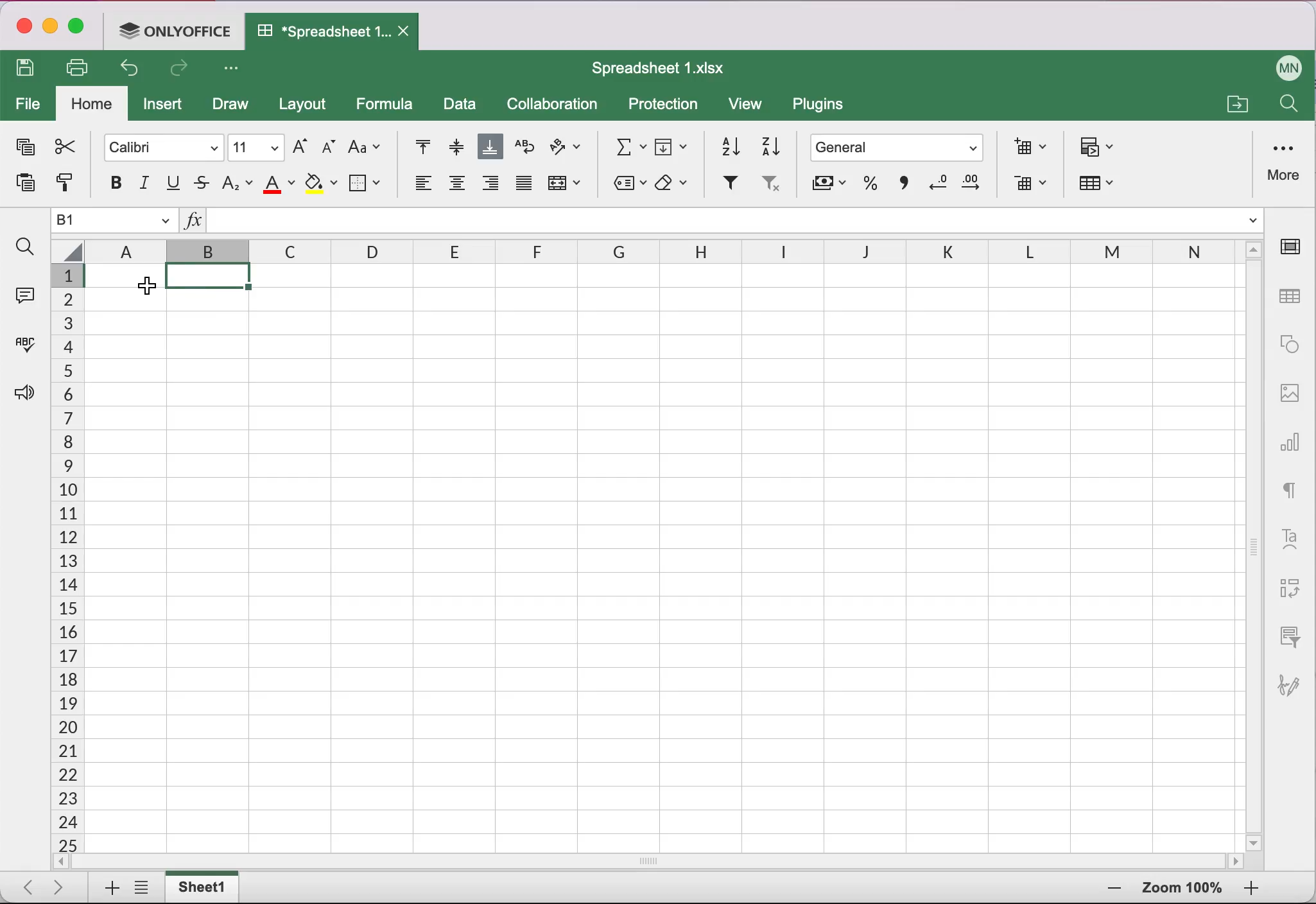 The image size is (1316, 904). Describe the element at coordinates (457, 187) in the screenshot. I see `align center` at that location.